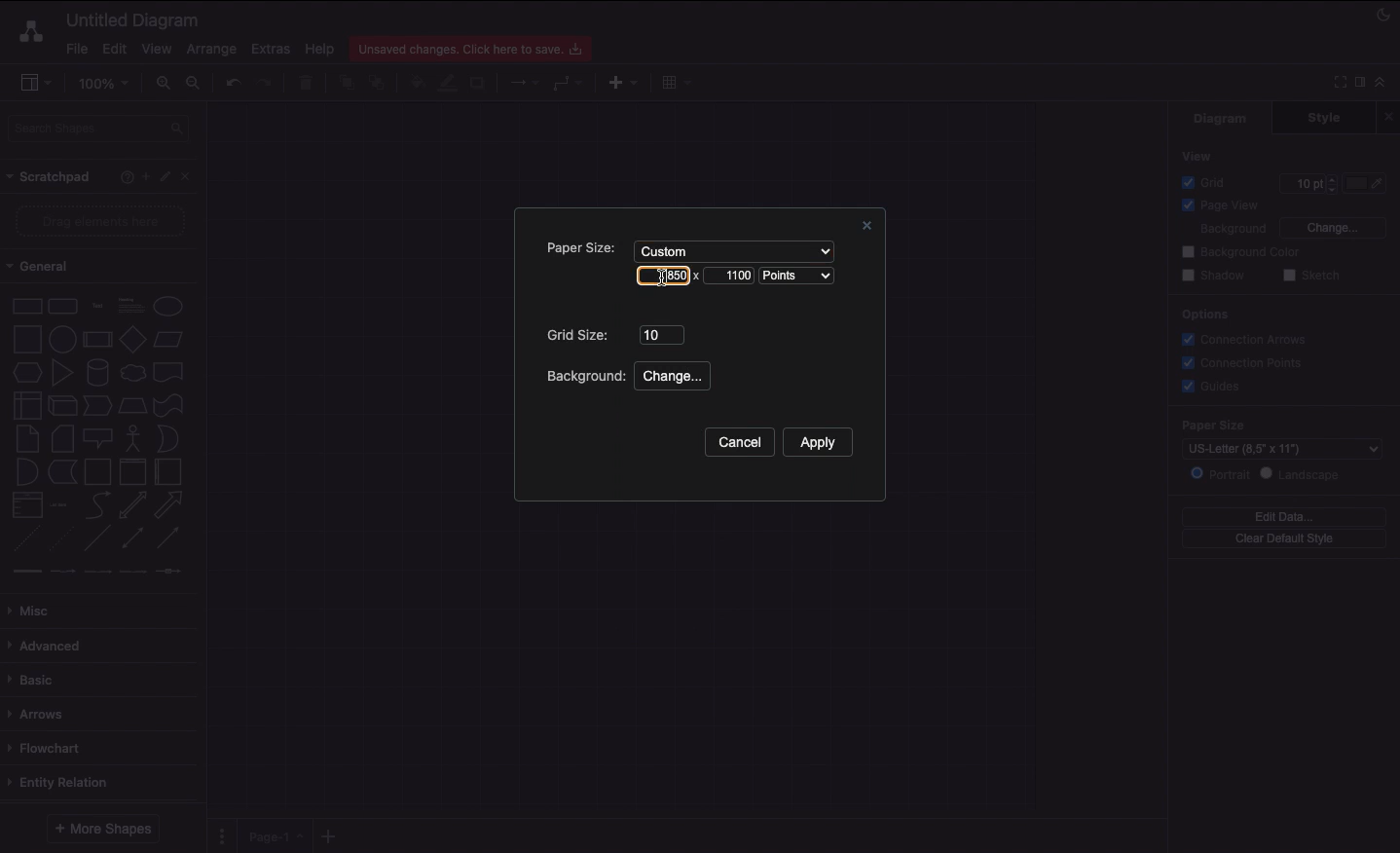 The height and width of the screenshot is (853, 1400). What do you see at coordinates (75, 49) in the screenshot?
I see `File` at bounding box center [75, 49].